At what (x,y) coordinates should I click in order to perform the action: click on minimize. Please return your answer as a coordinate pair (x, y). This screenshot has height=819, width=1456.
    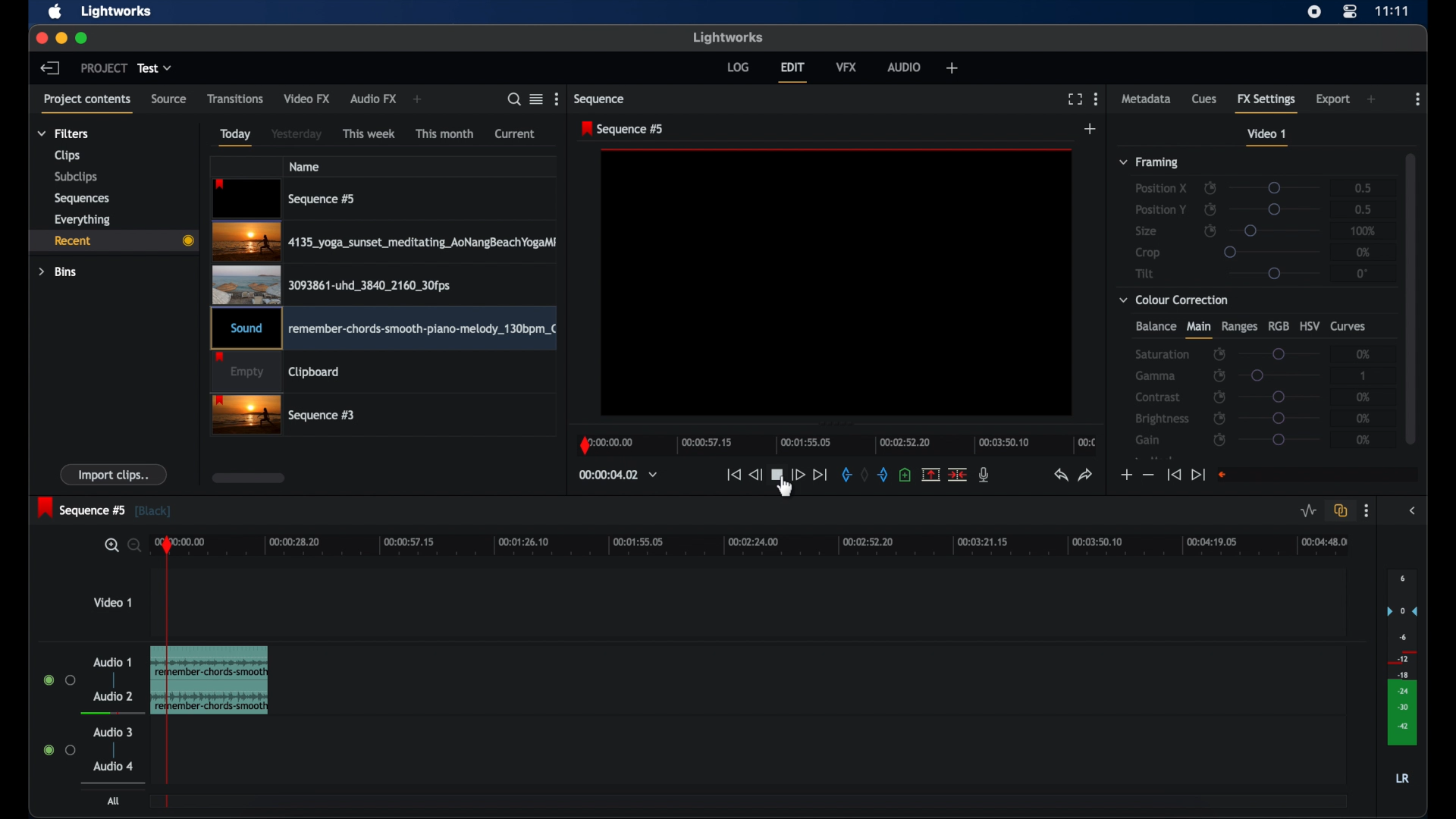
    Looking at the image, I should click on (61, 39).